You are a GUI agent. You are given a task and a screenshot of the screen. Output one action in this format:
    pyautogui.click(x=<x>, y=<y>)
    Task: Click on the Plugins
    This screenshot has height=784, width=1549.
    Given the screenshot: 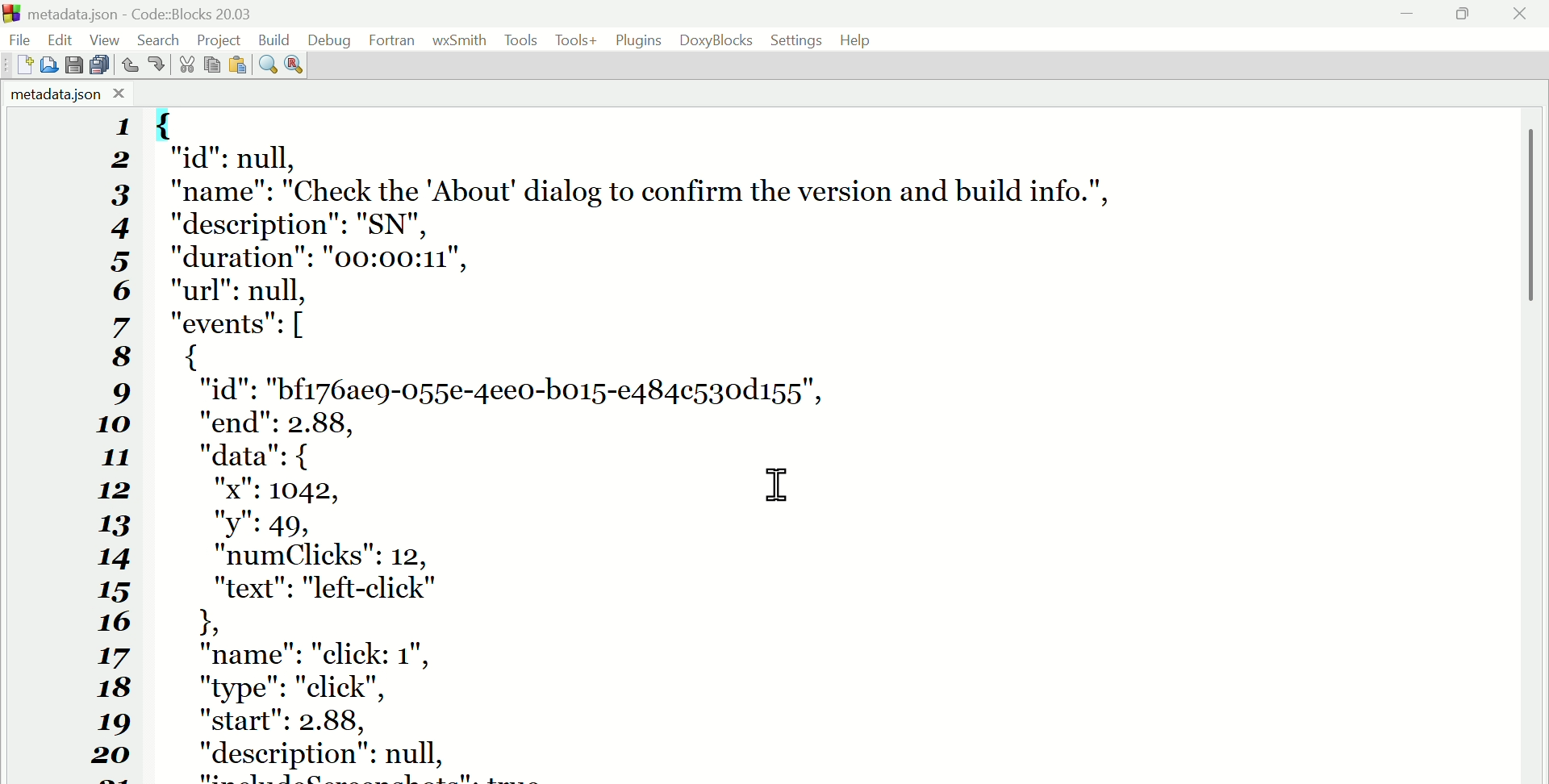 What is the action you would take?
    pyautogui.click(x=640, y=40)
    